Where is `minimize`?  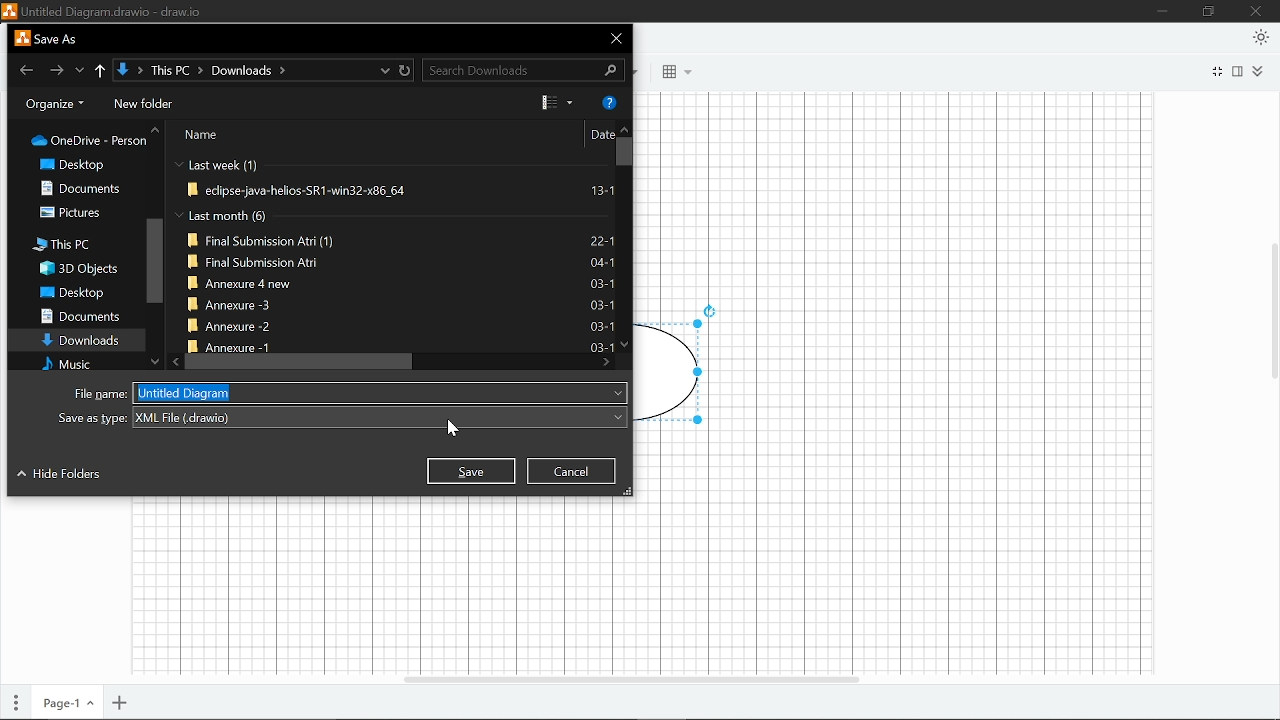
minimize is located at coordinates (1165, 11).